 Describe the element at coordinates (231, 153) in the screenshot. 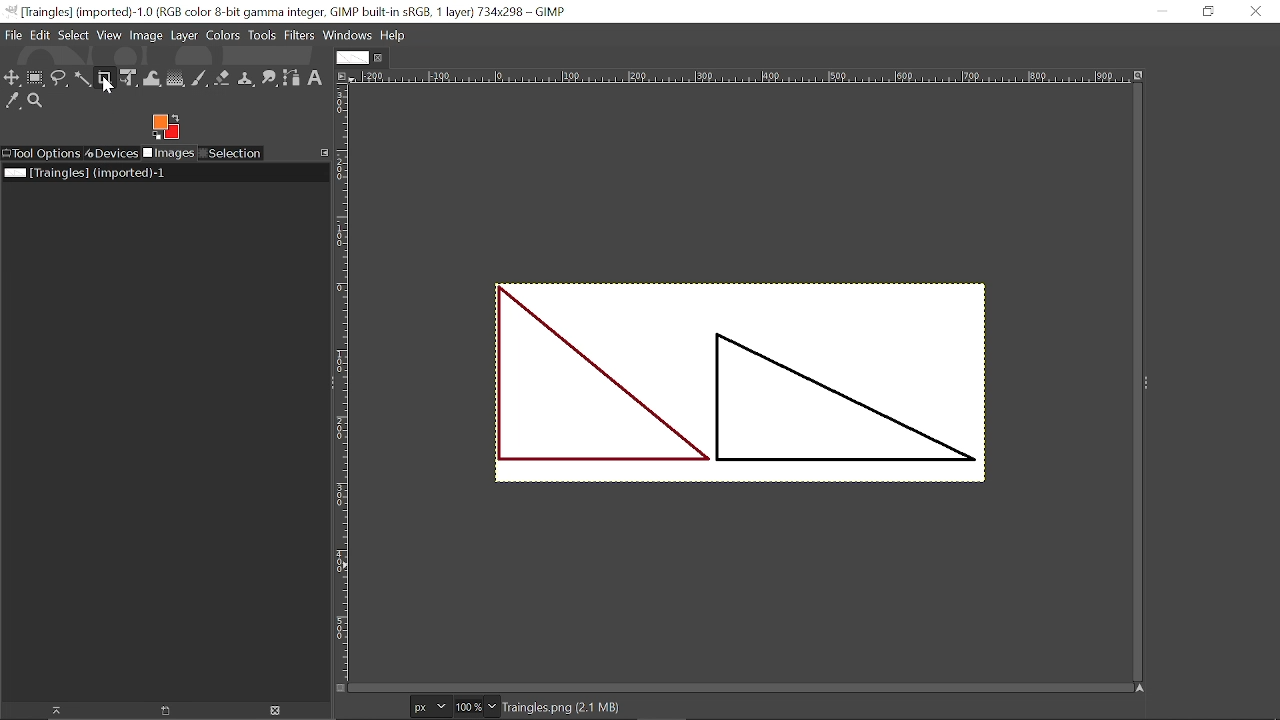

I see `Selection tool` at that location.